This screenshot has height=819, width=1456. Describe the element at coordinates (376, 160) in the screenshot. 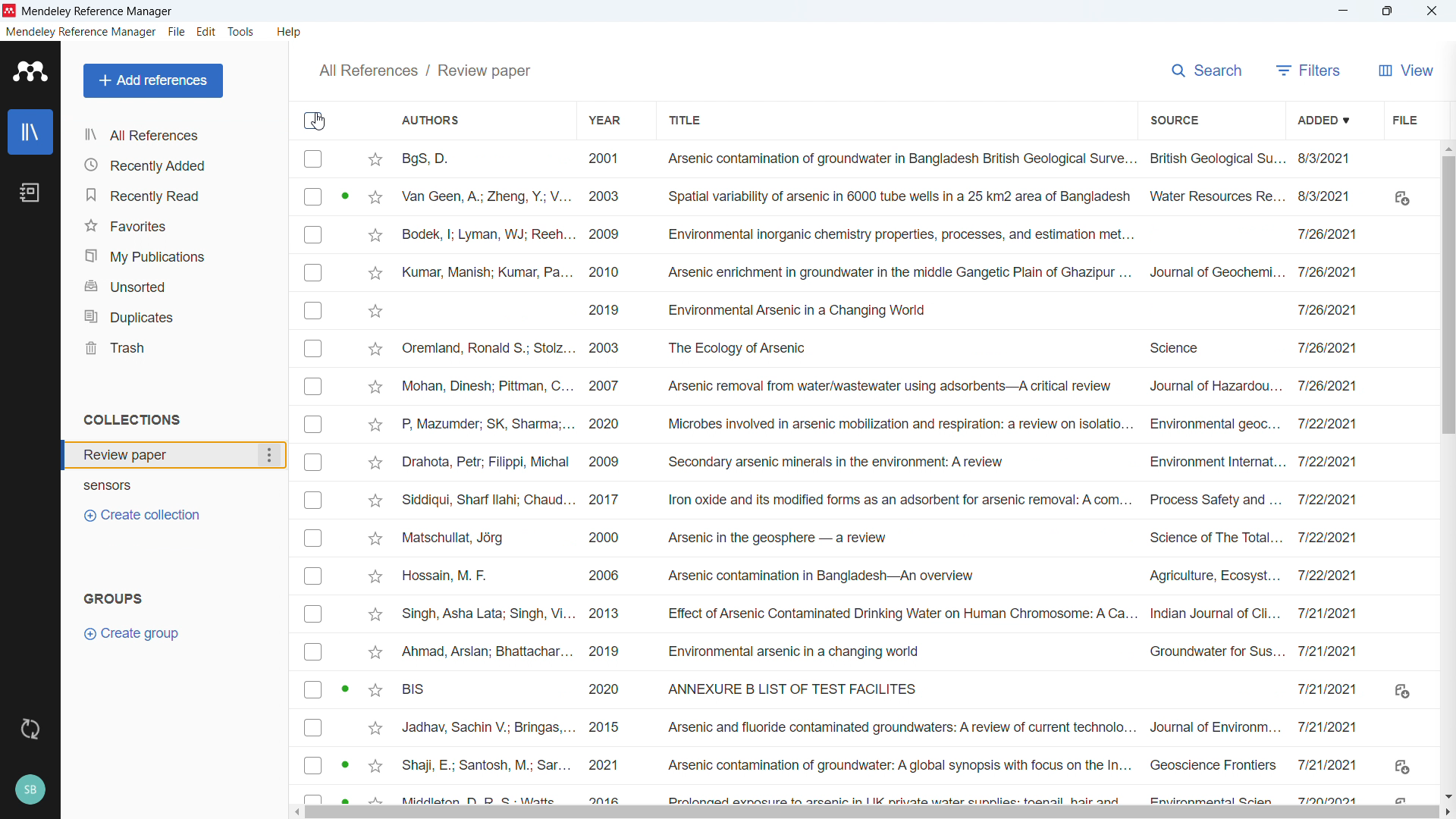

I see `Star mark respective publication` at that location.